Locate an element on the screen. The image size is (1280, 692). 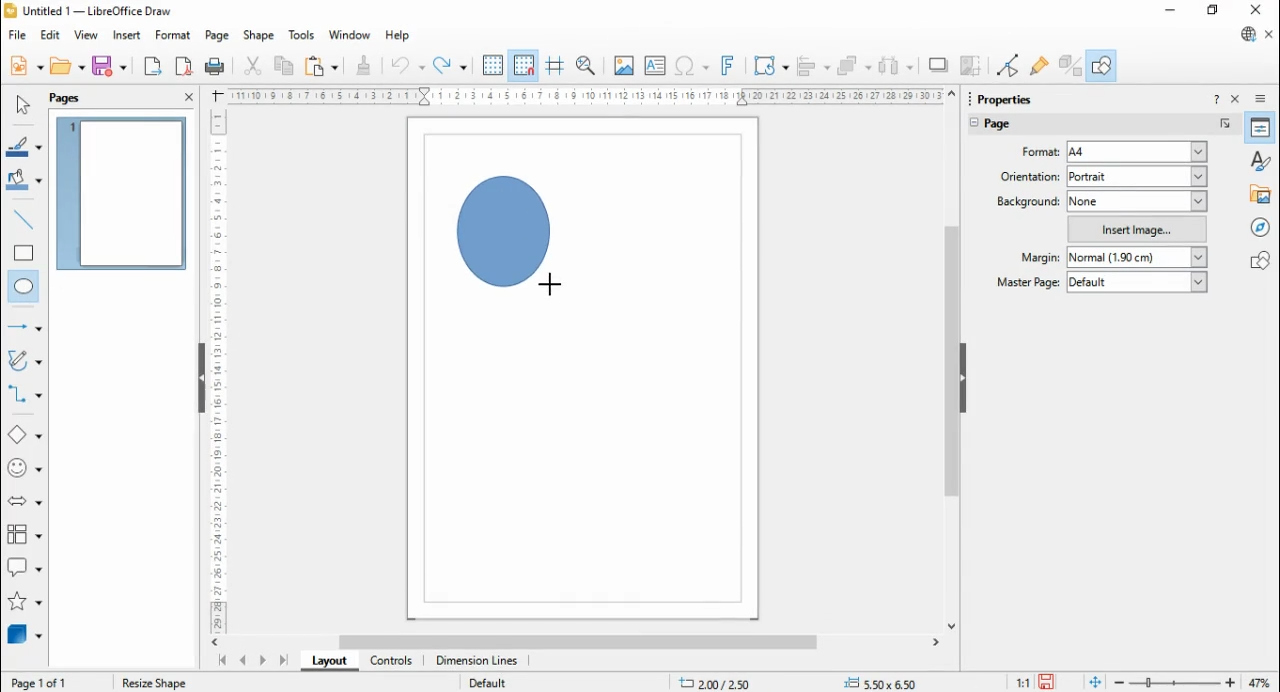
new is located at coordinates (26, 65).